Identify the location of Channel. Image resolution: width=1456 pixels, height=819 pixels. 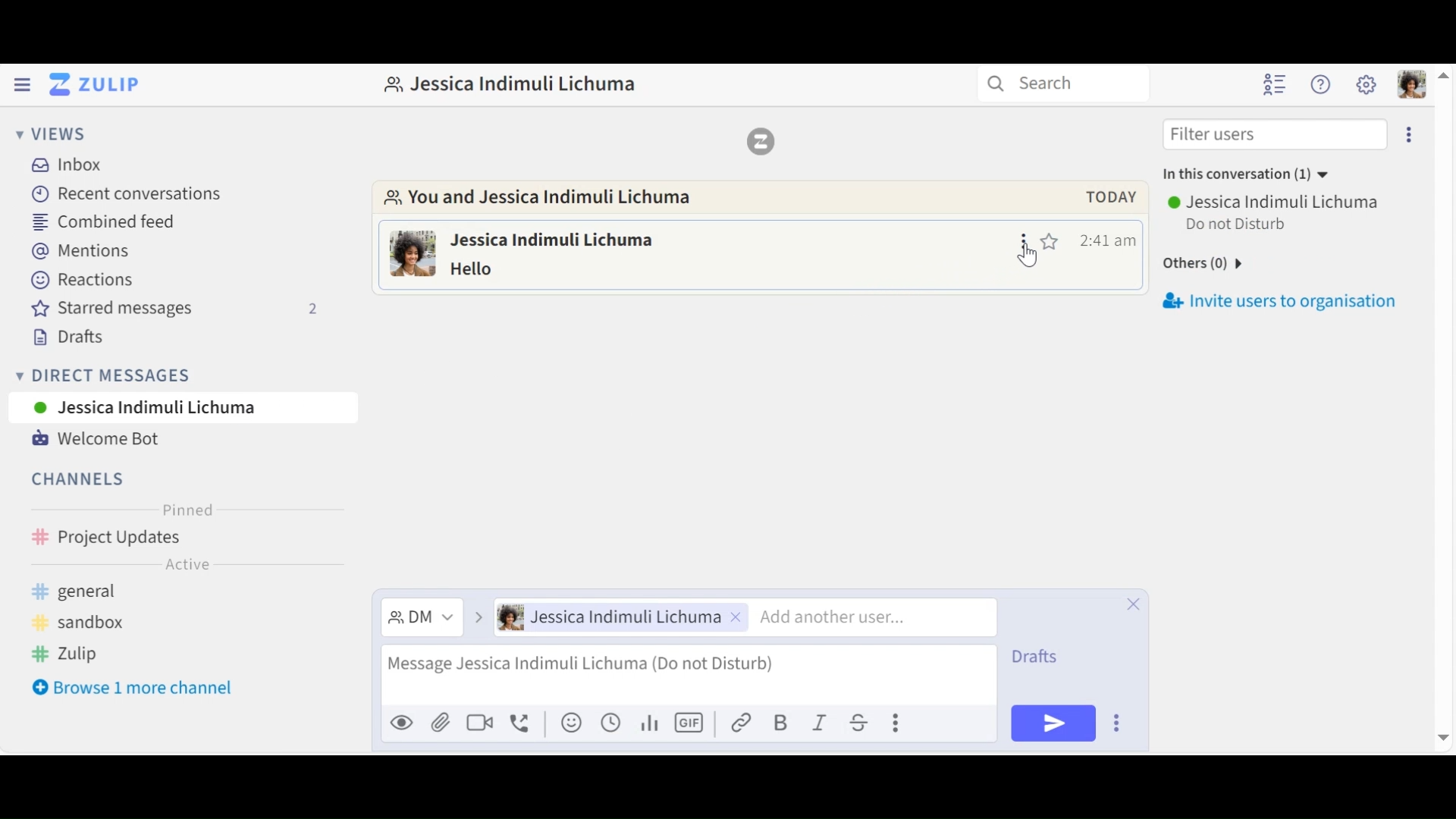
(184, 539).